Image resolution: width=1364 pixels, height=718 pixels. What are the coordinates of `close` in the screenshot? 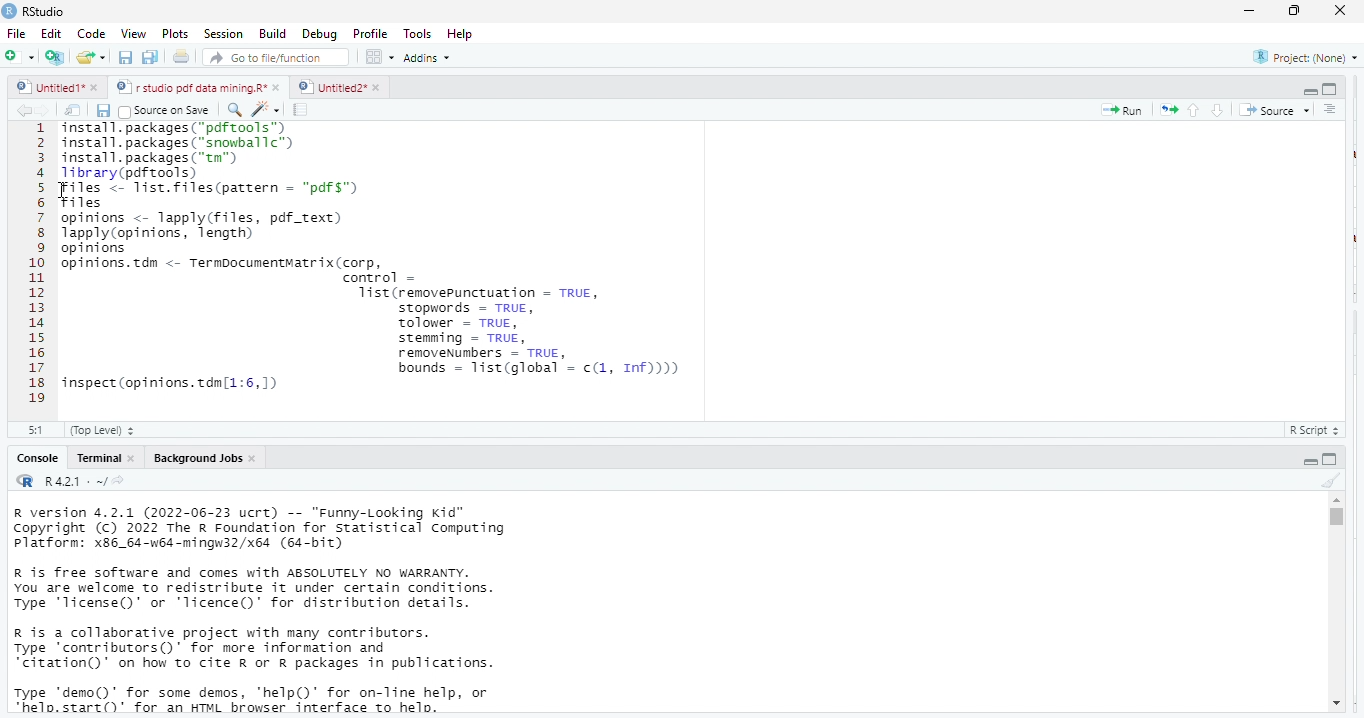 It's located at (98, 89).